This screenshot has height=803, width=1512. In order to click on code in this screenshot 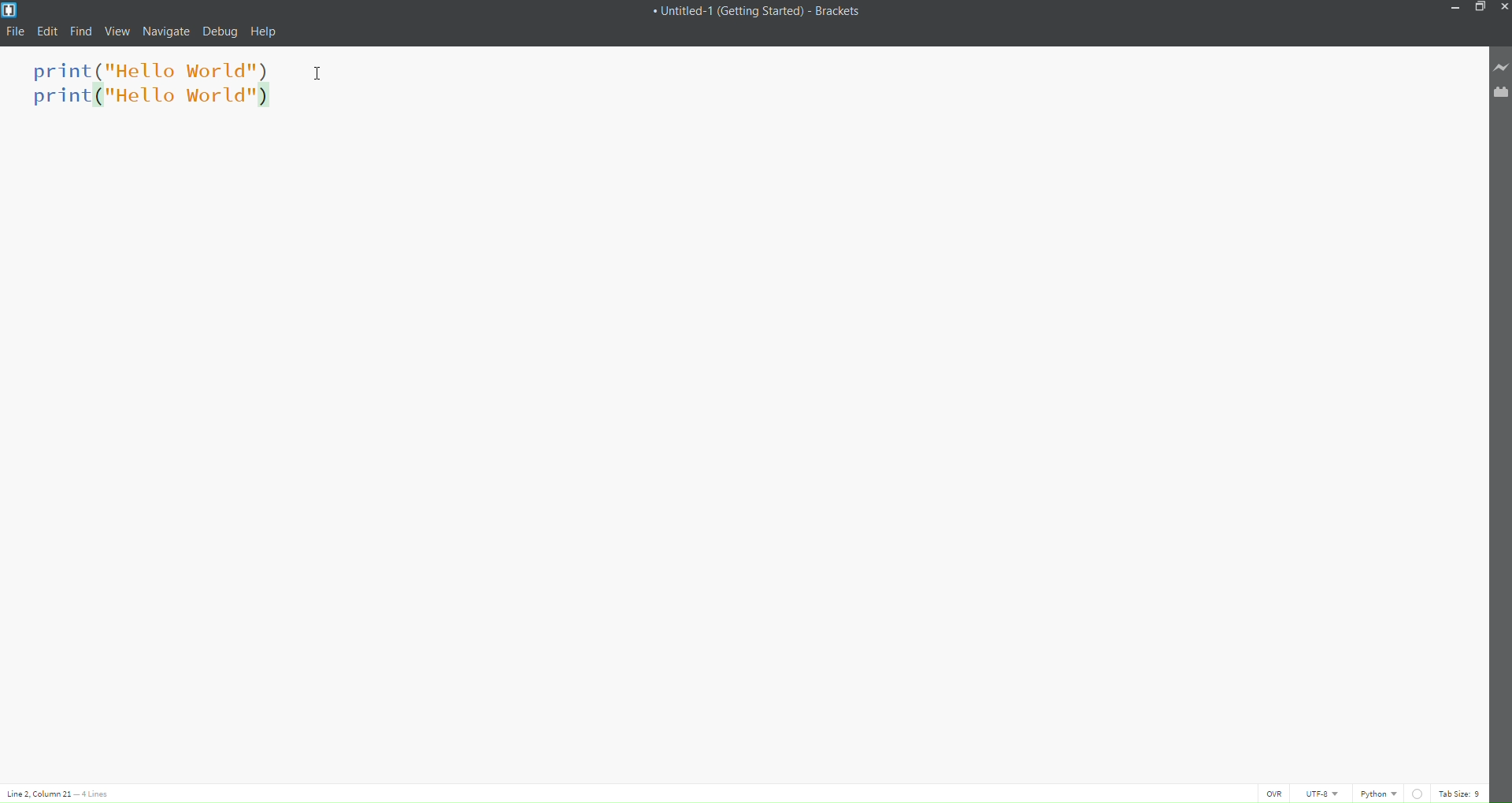, I will do `click(151, 62)`.